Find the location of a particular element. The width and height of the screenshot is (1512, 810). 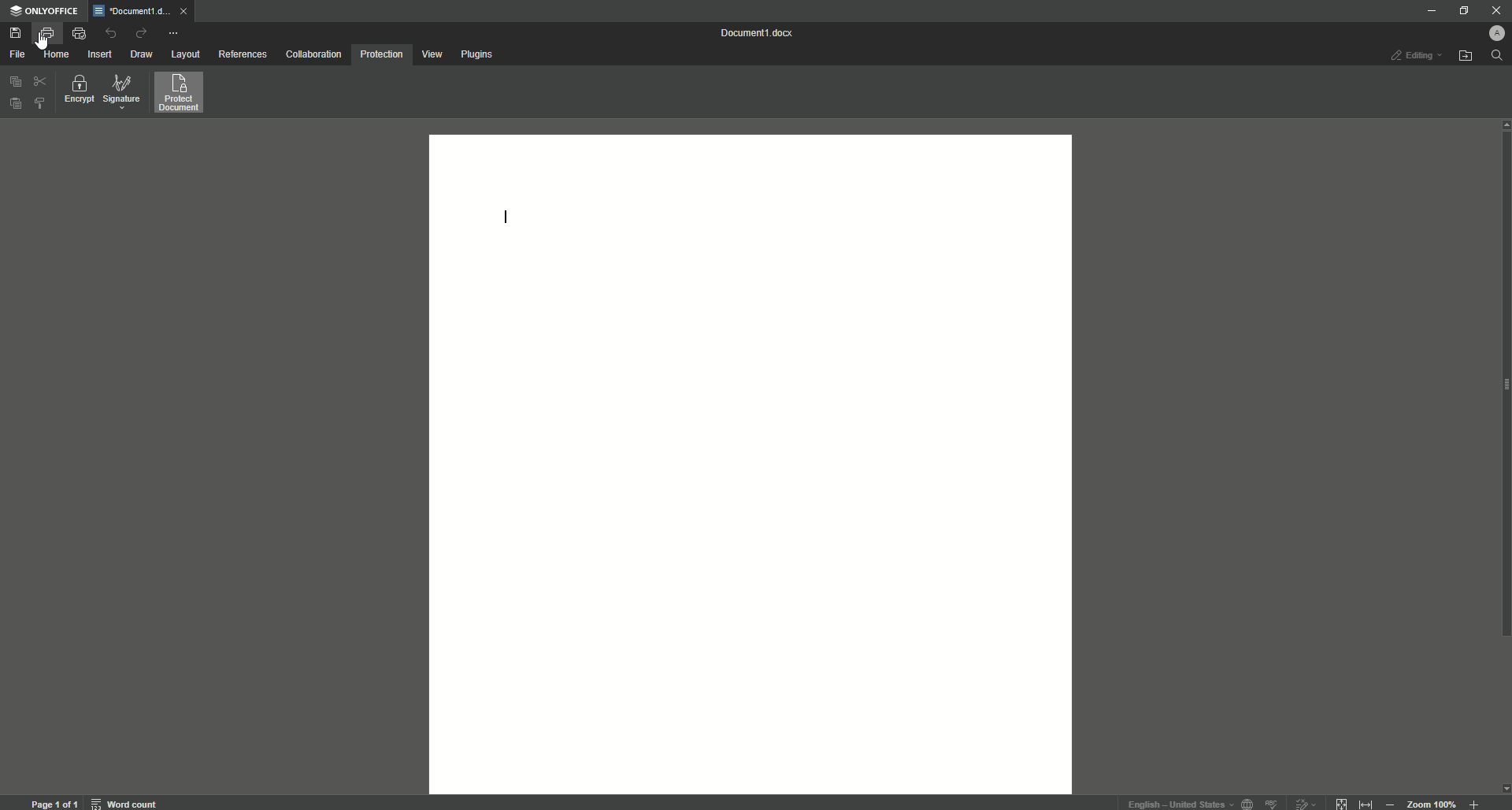

spell check is located at coordinates (1273, 803).